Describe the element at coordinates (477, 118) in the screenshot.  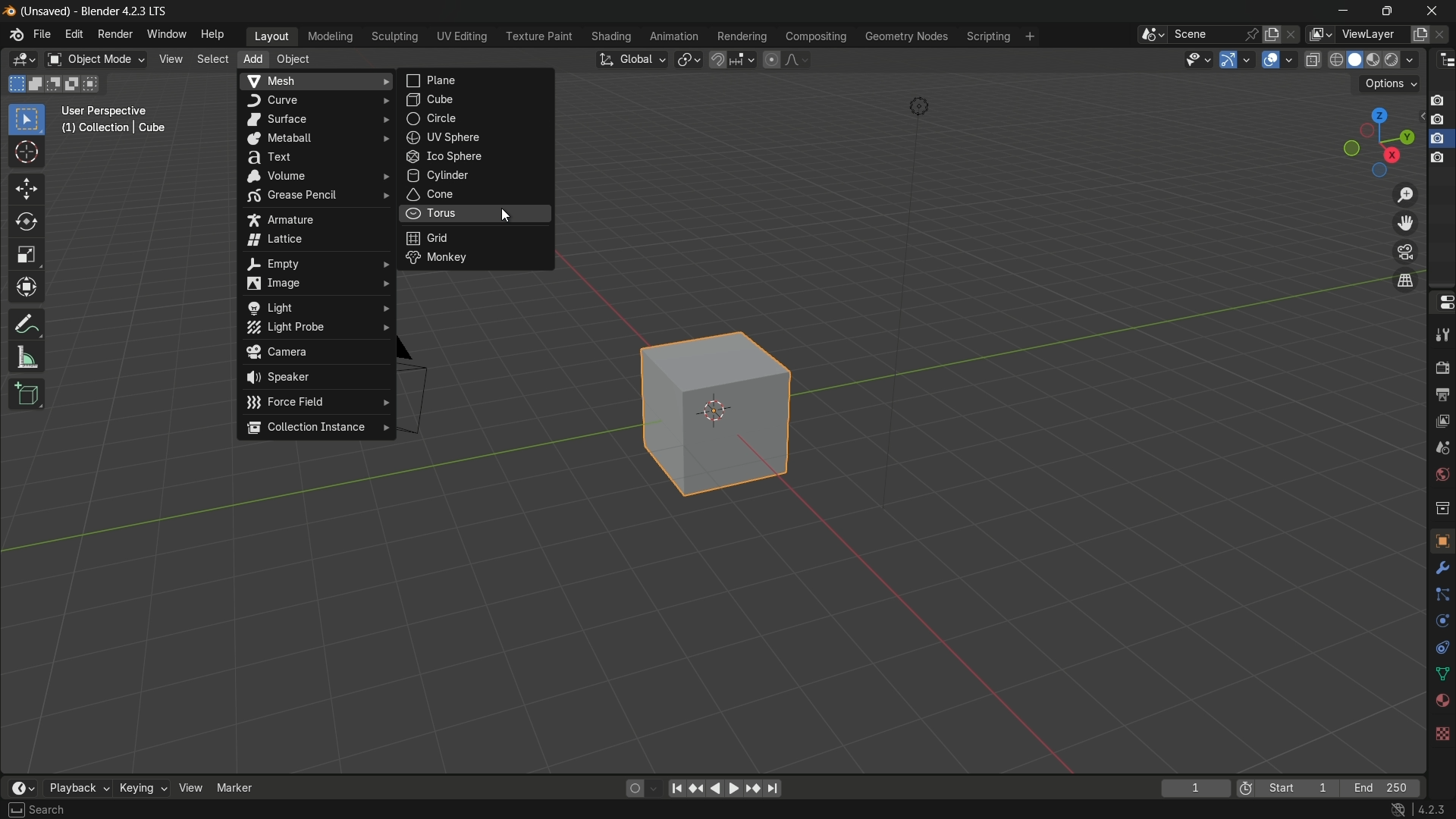
I see `circle` at that location.